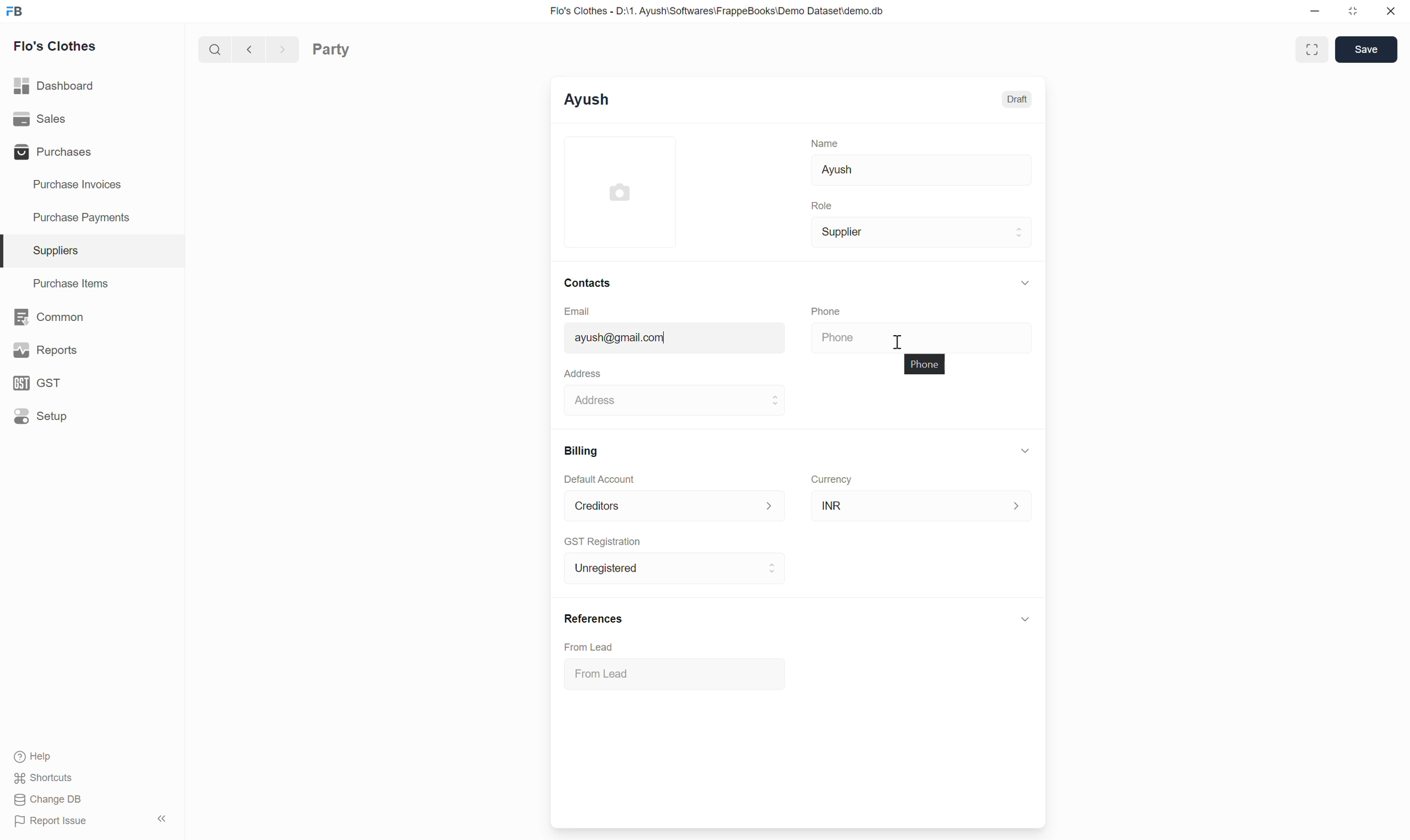  I want to click on Address, so click(674, 400).